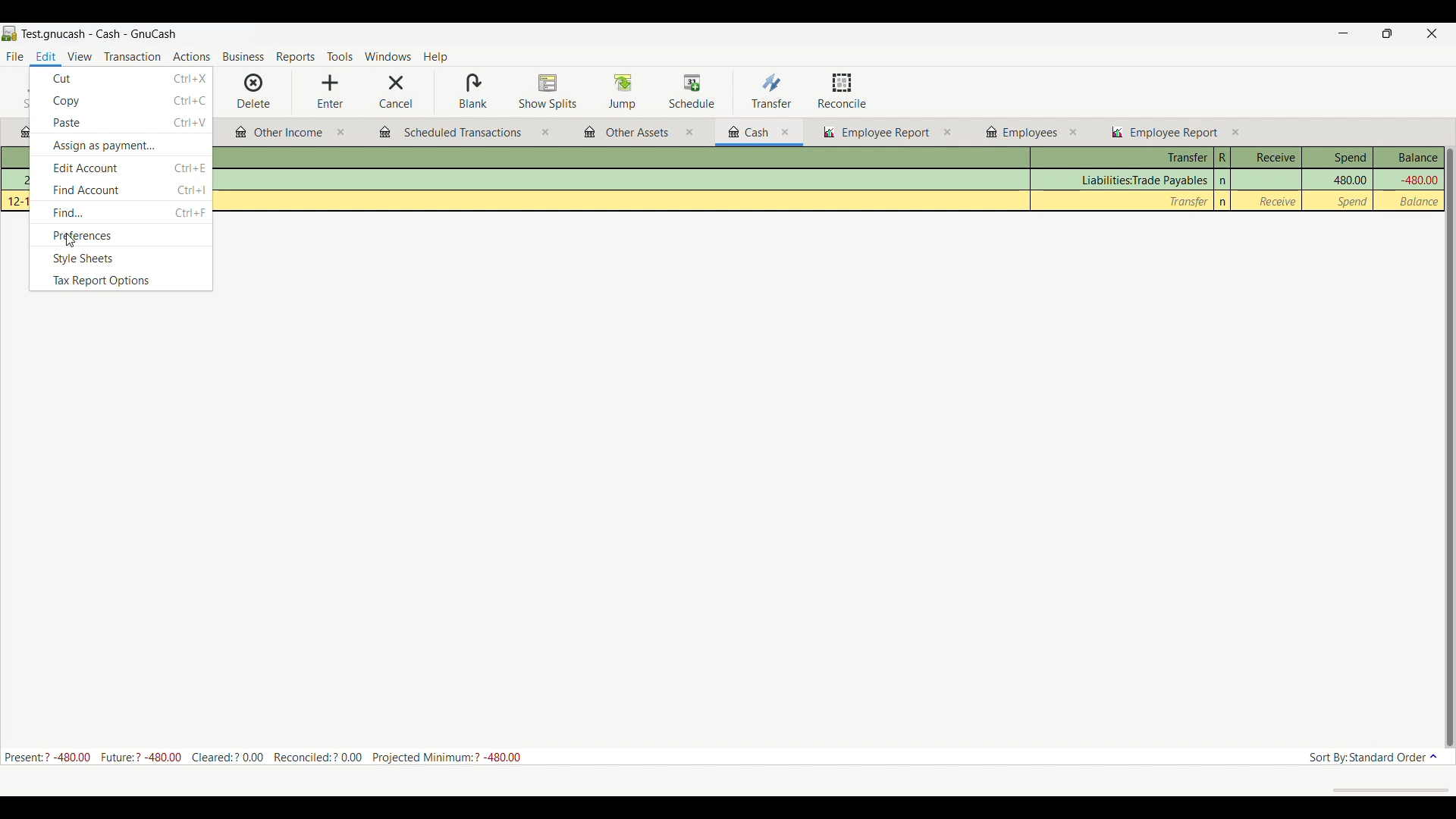 Image resolution: width=1456 pixels, height=819 pixels. Describe the element at coordinates (773, 91) in the screenshot. I see `Transfer` at that location.